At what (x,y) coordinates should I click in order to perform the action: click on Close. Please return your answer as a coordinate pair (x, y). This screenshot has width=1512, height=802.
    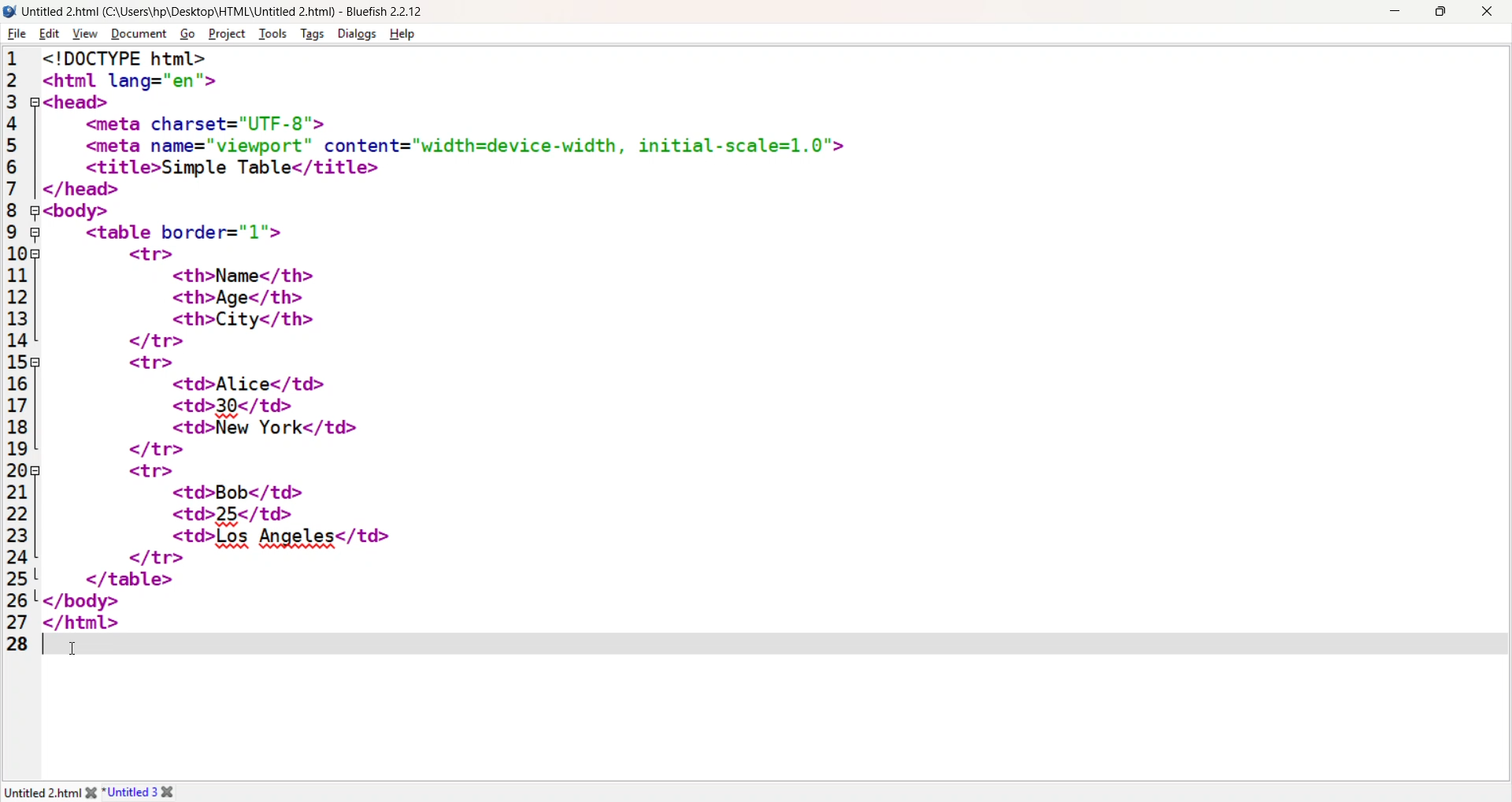
    Looking at the image, I should click on (1486, 13).